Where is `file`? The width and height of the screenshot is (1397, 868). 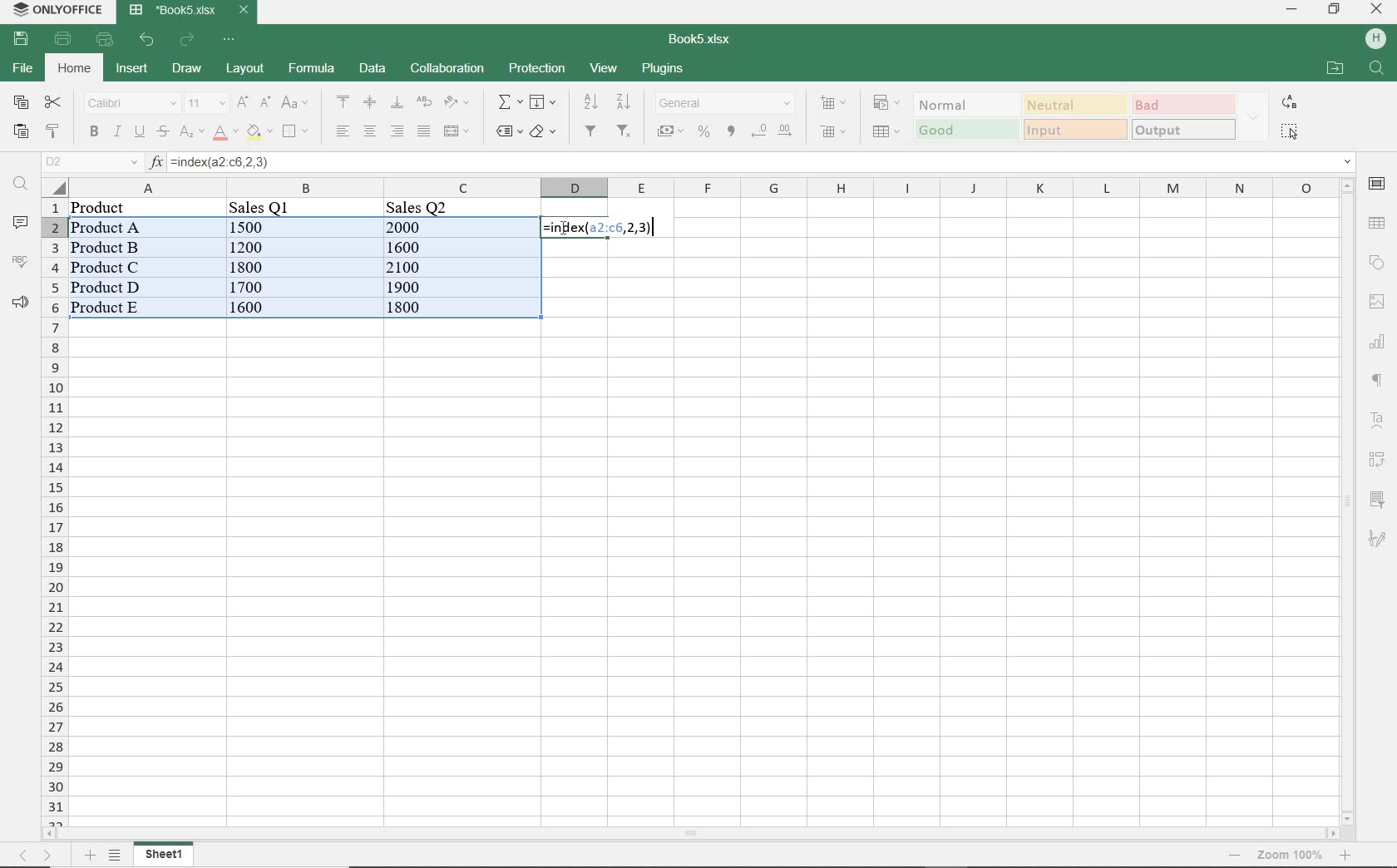 file is located at coordinates (25, 67).